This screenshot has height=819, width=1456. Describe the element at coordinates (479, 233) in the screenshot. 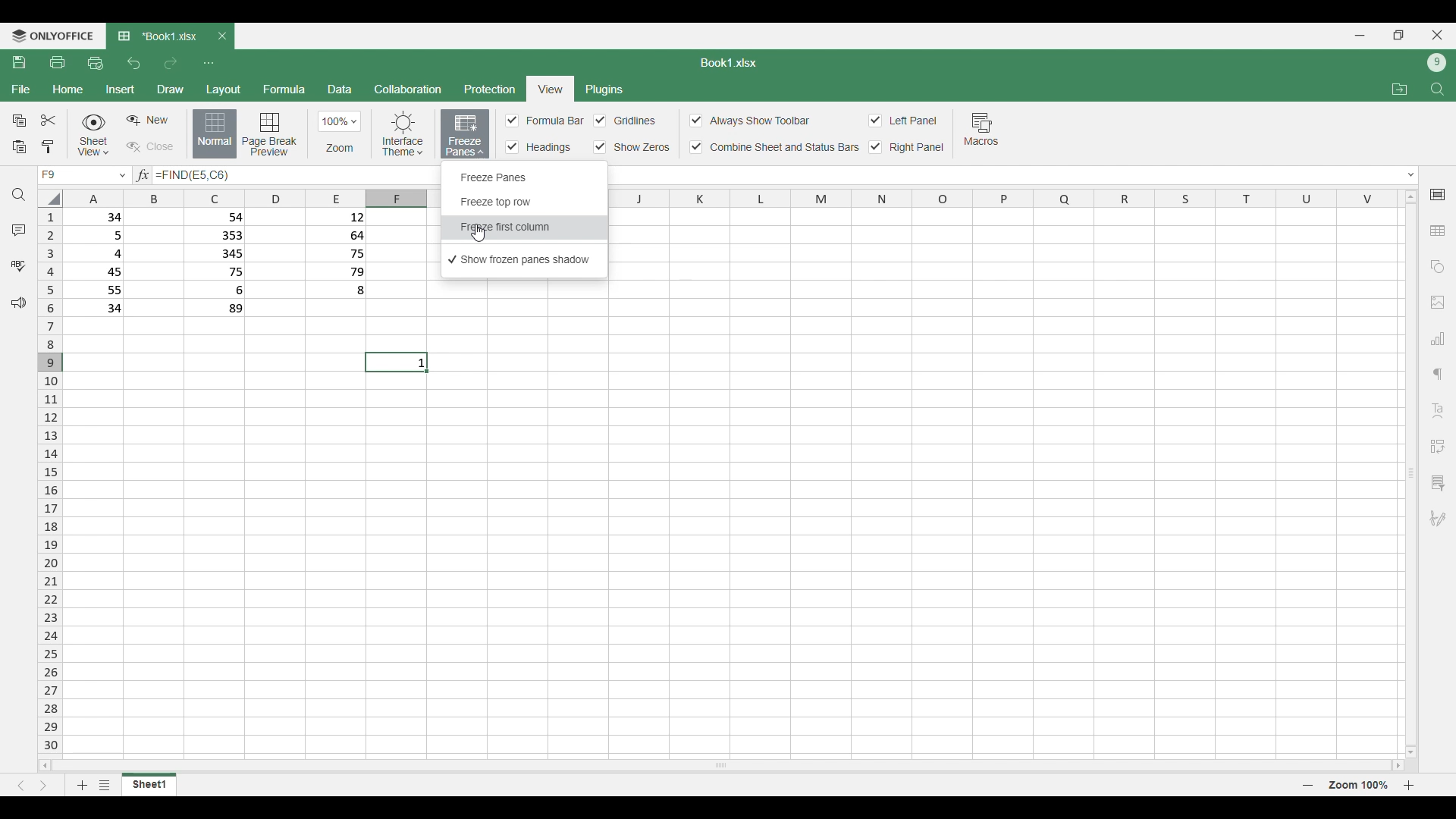

I see `Cursor` at that location.